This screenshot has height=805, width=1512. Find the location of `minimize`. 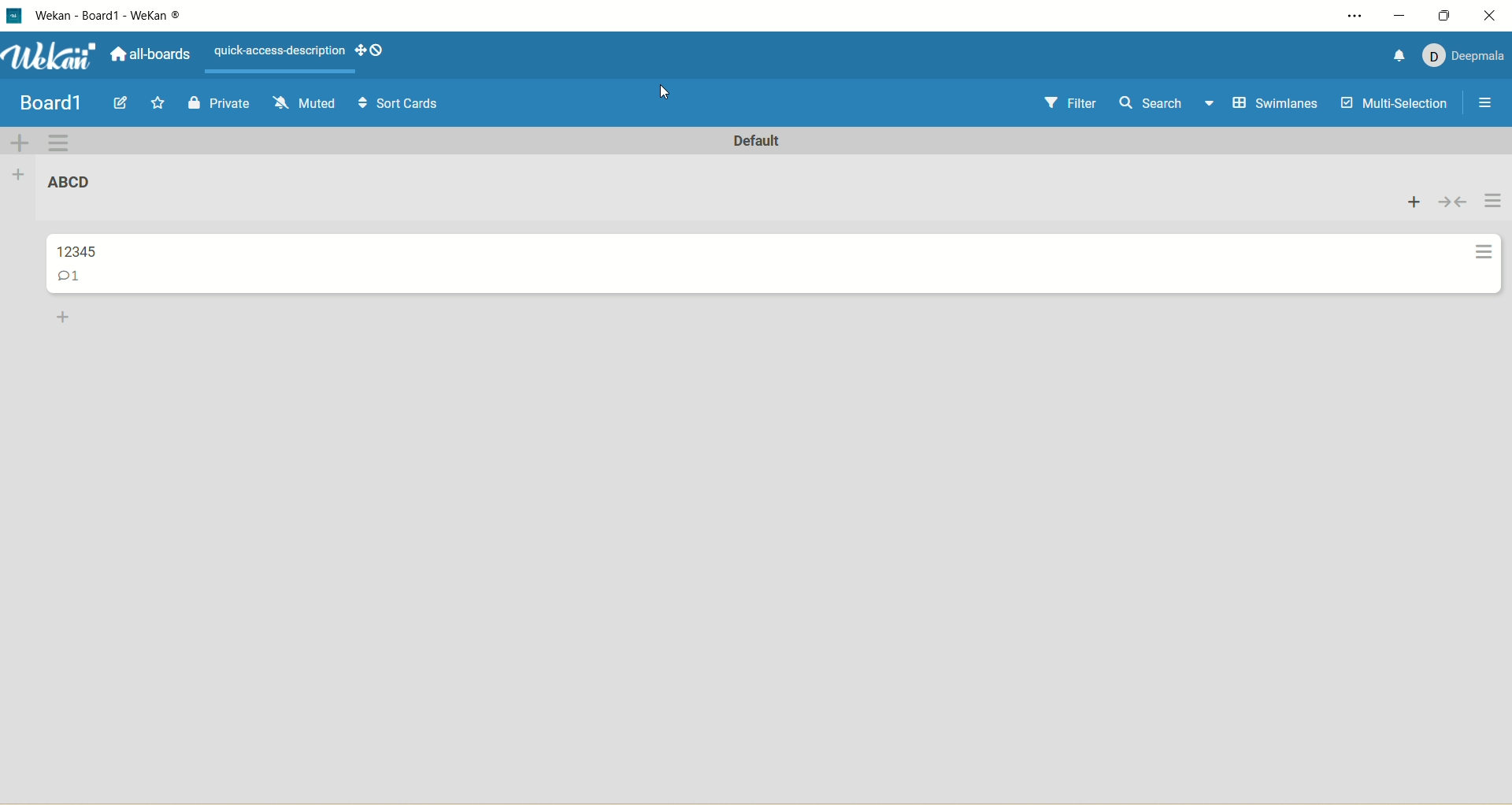

minimize is located at coordinates (1398, 16).